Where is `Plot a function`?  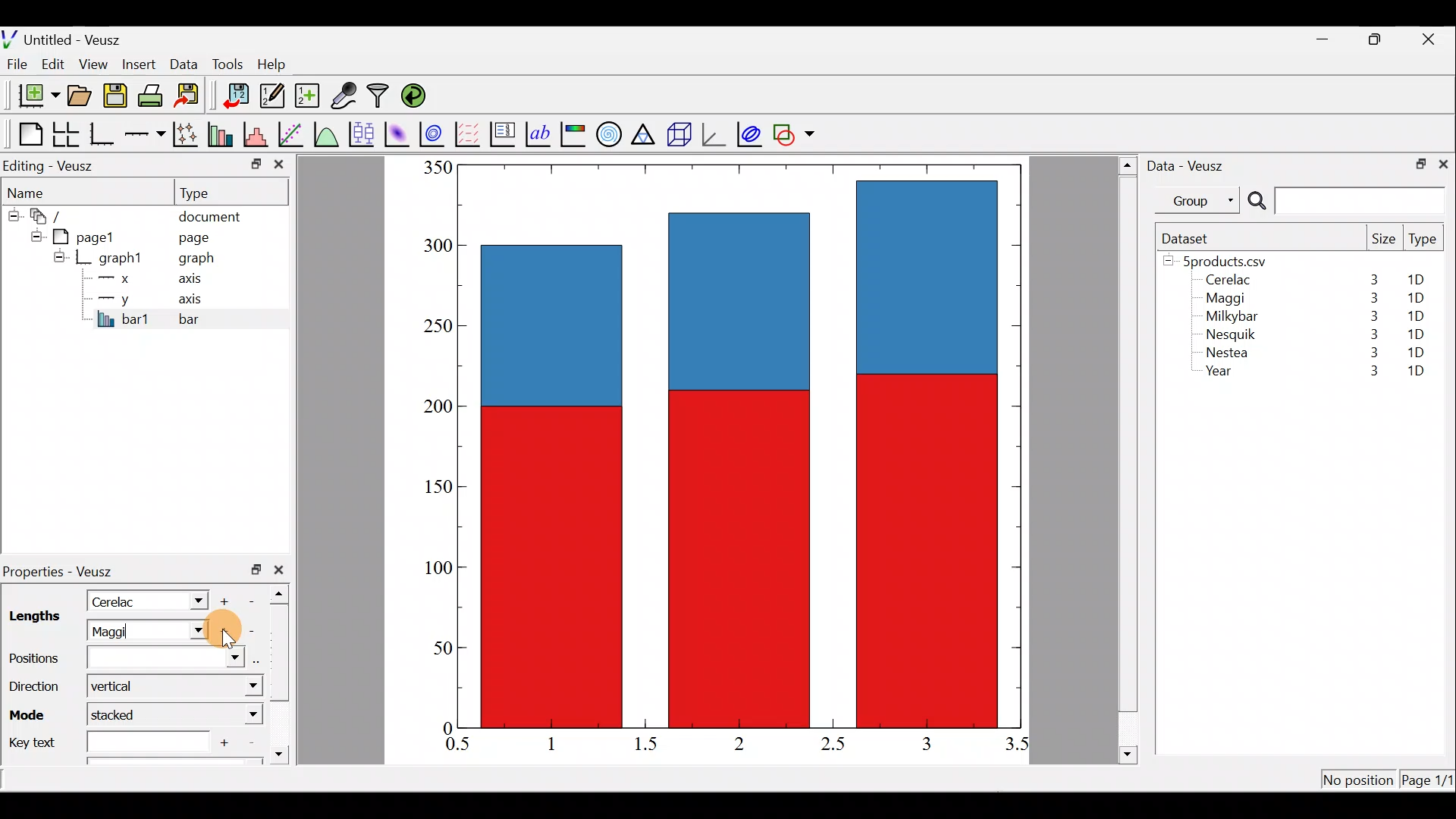
Plot a function is located at coordinates (327, 133).